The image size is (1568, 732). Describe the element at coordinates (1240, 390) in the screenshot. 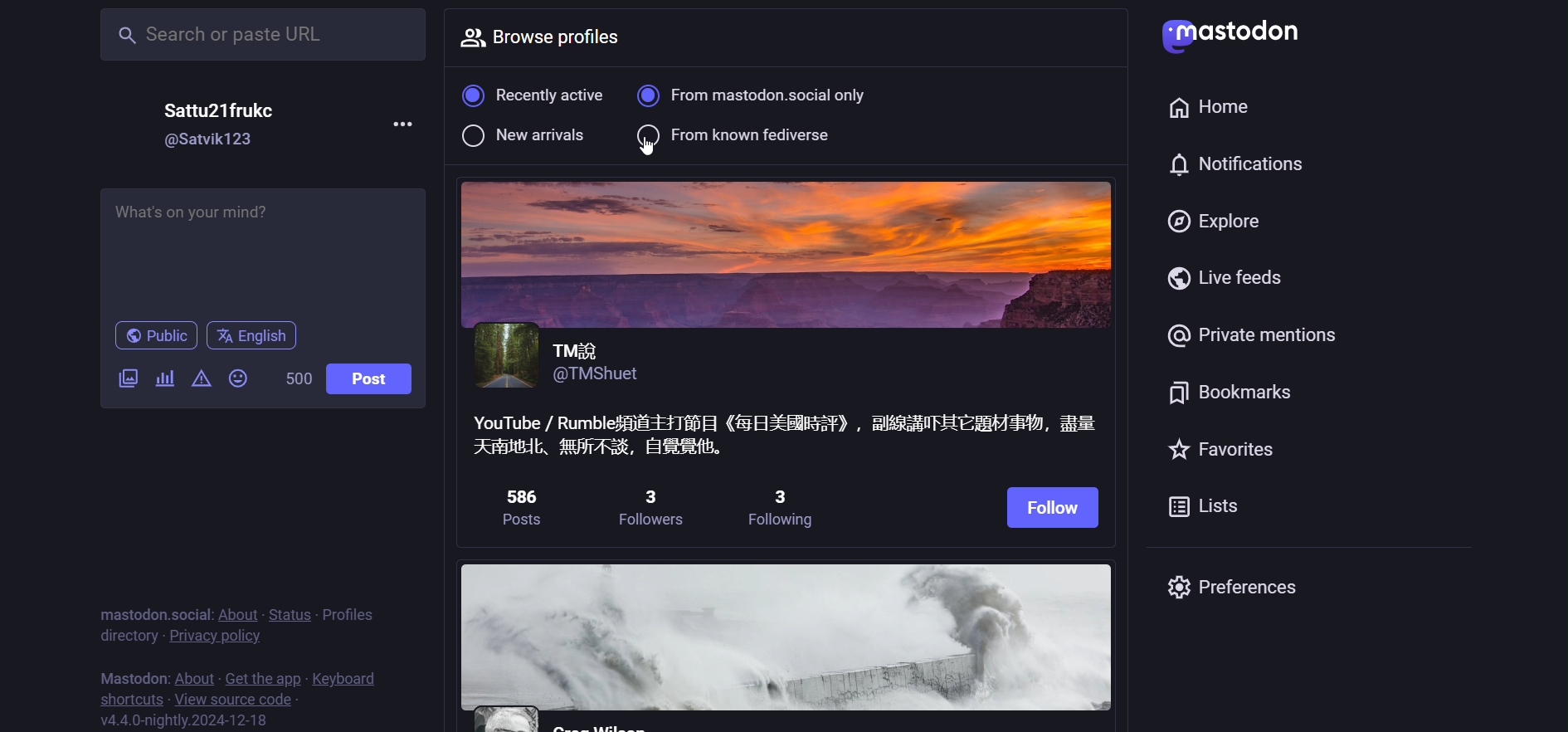

I see `bookmark` at that location.